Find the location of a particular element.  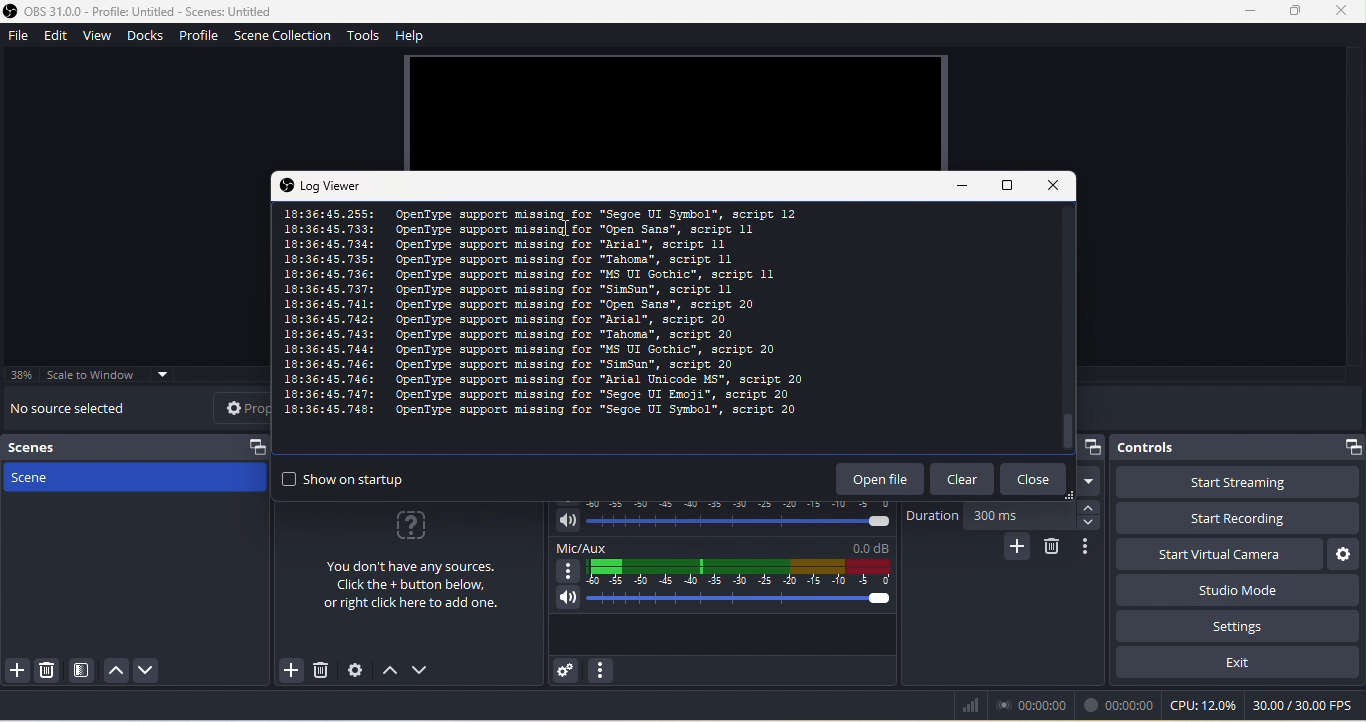

view is located at coordinates (99, 37).